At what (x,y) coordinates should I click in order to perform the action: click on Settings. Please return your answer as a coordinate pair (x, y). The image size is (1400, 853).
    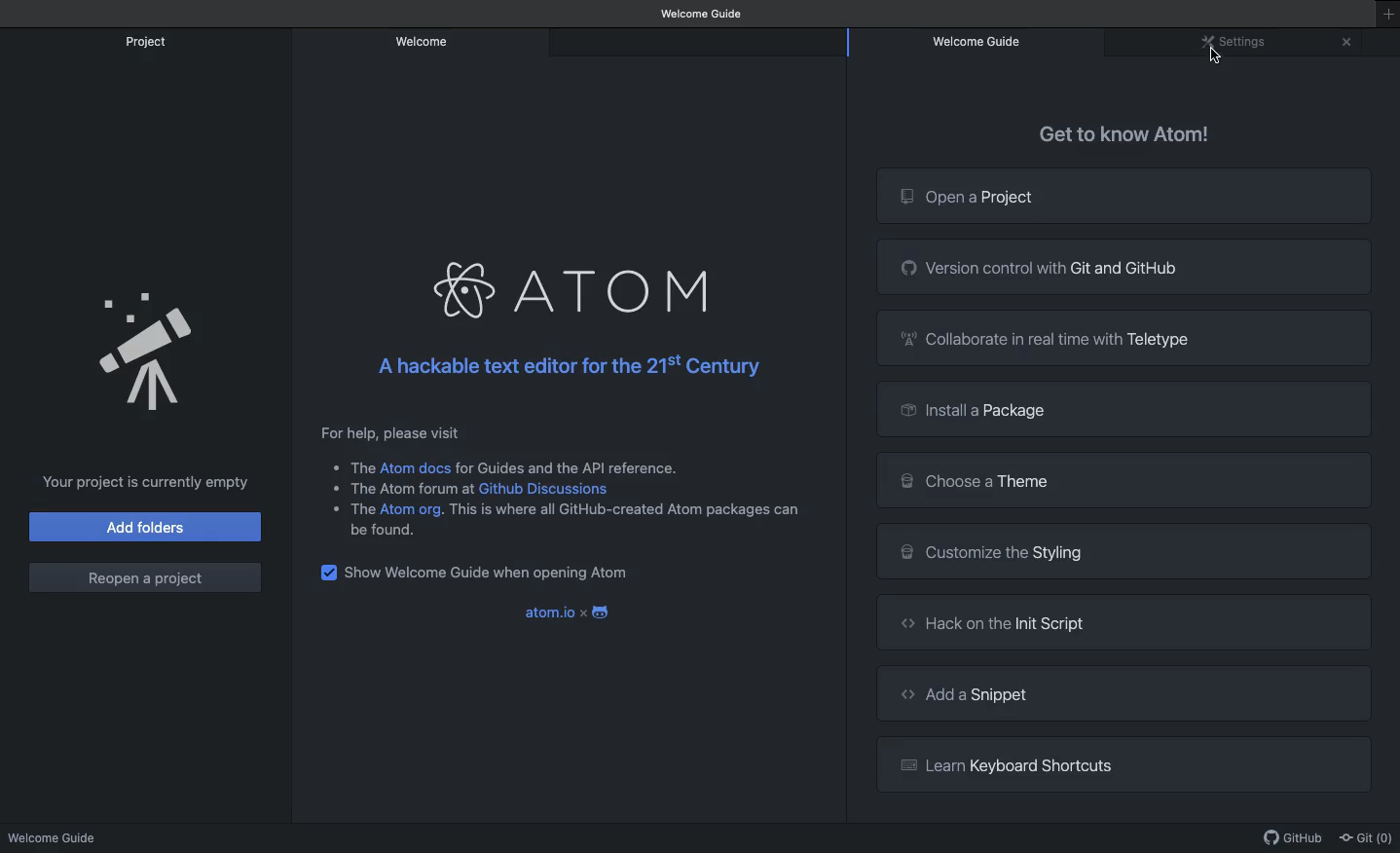
    Looking at the image, I should click on (1237, 44).